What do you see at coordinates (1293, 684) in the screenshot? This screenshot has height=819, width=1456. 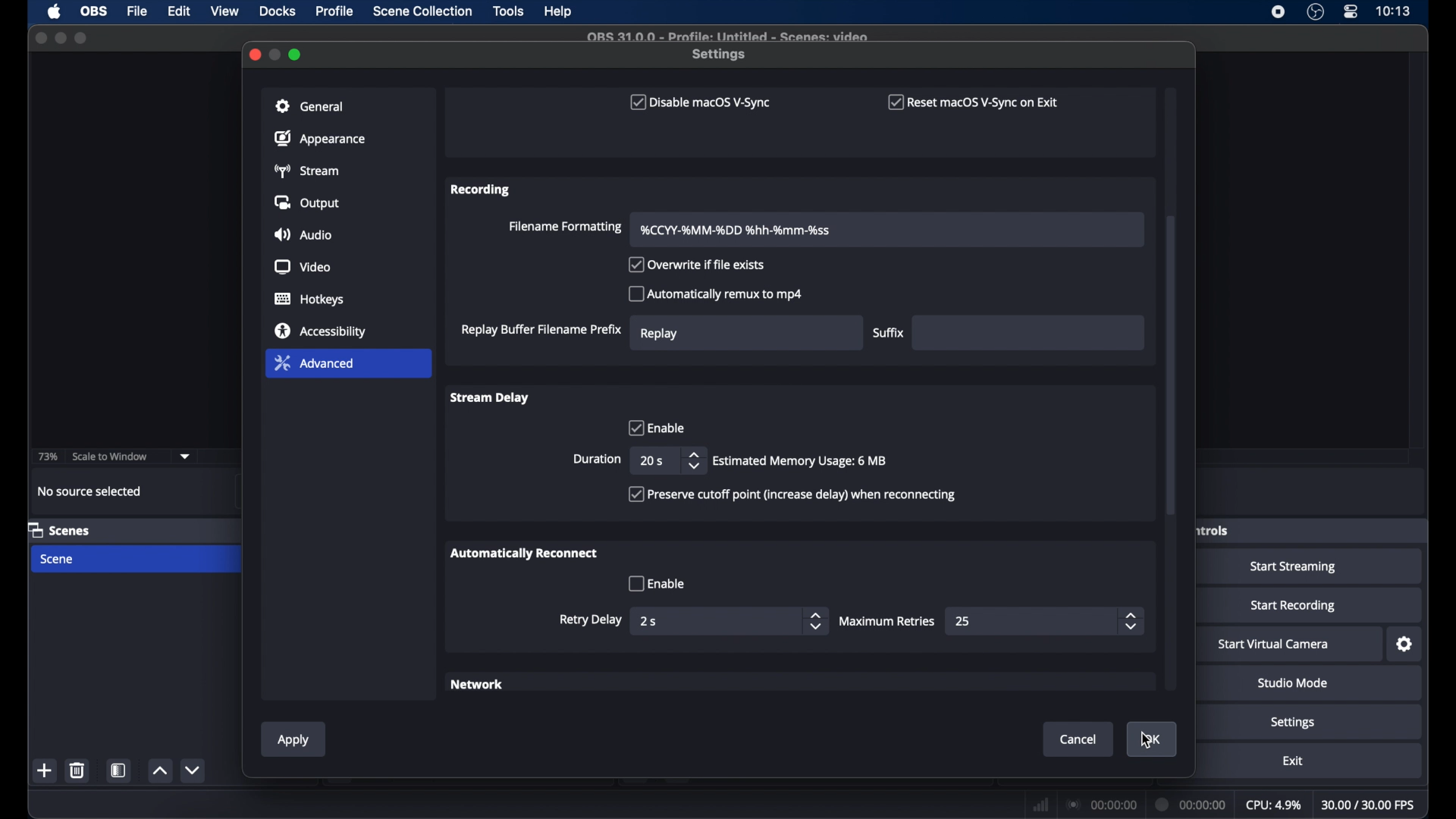 I see `studio mode` at bounding box center [1293, 684].